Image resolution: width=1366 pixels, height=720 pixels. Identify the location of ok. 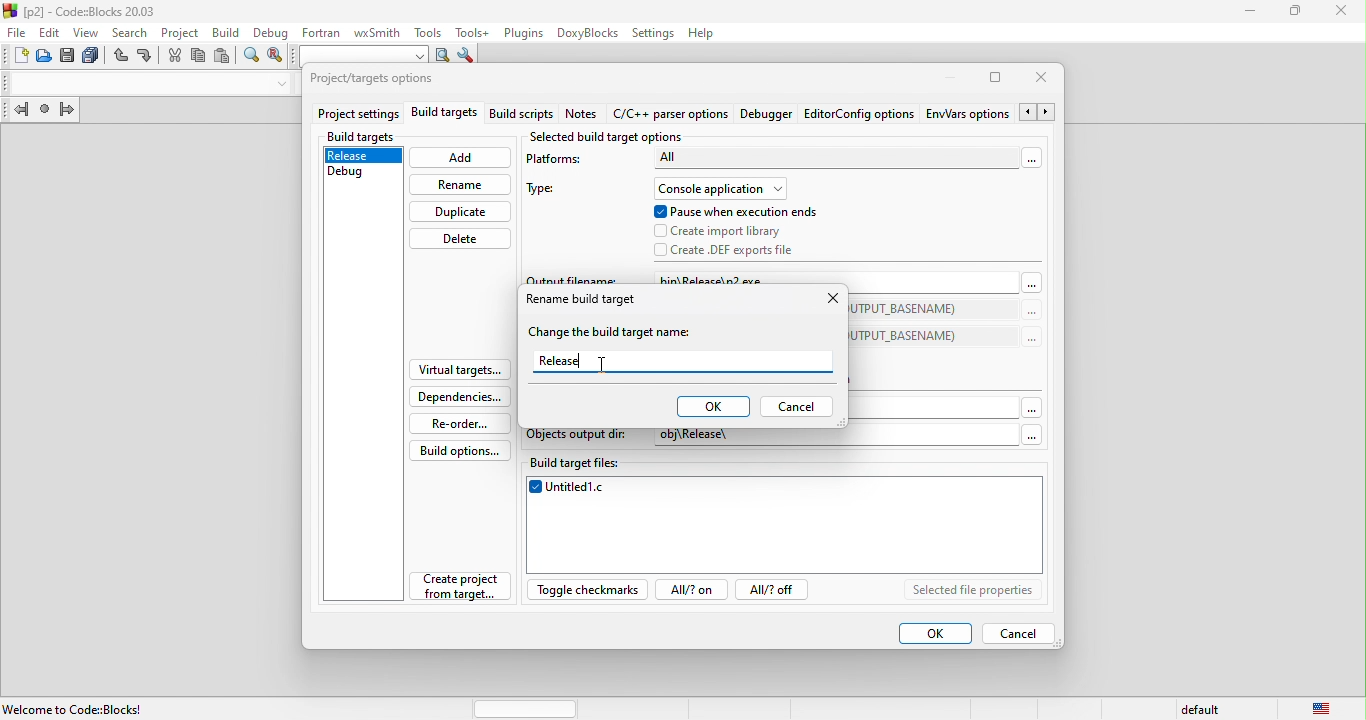
(934, 633).